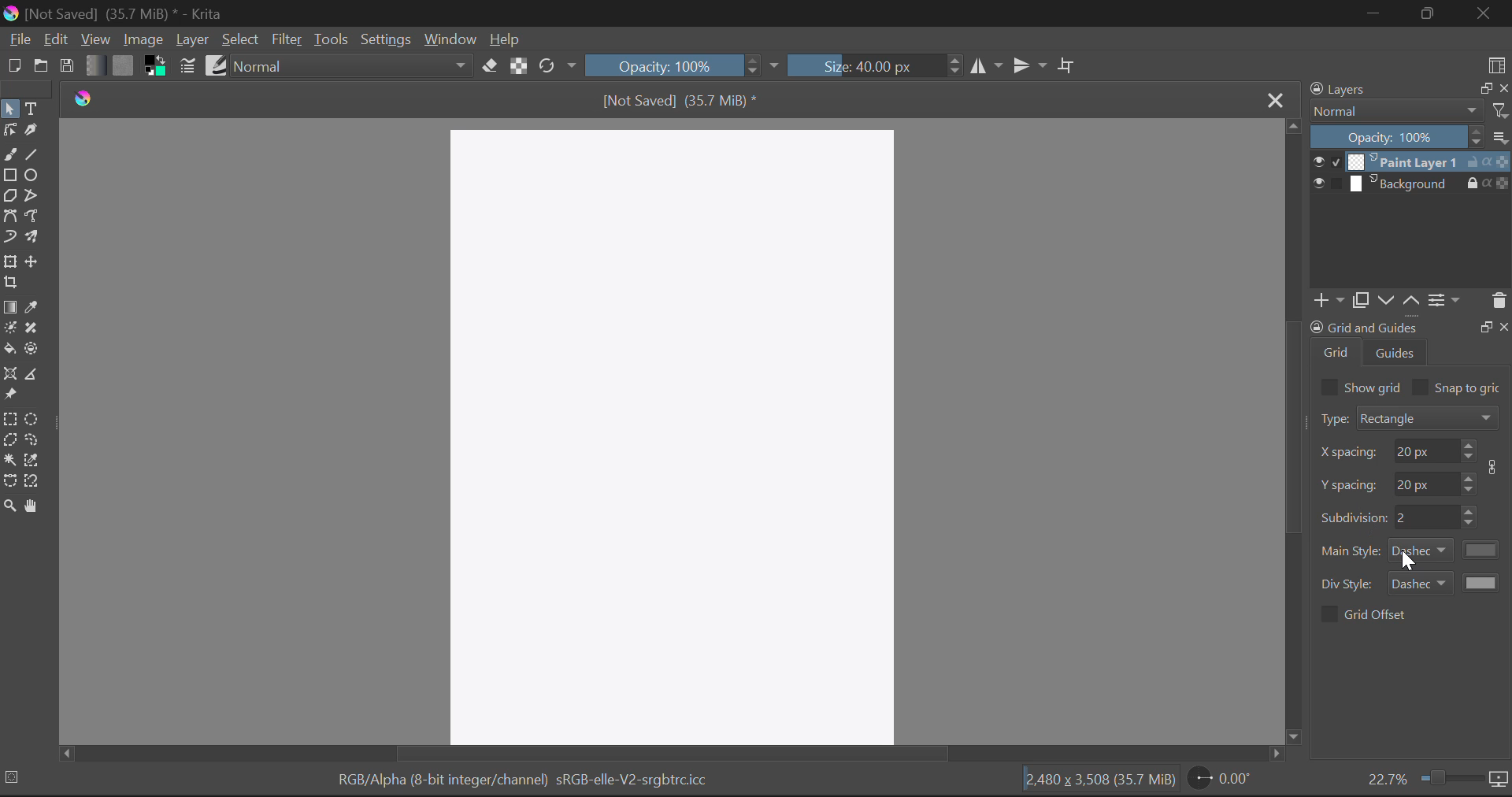 The image size is (1512, 797). What do you see at coordinates (669, 753) in the screenshot?
I see `Scroll Bar` at bounding box center [669, 753].